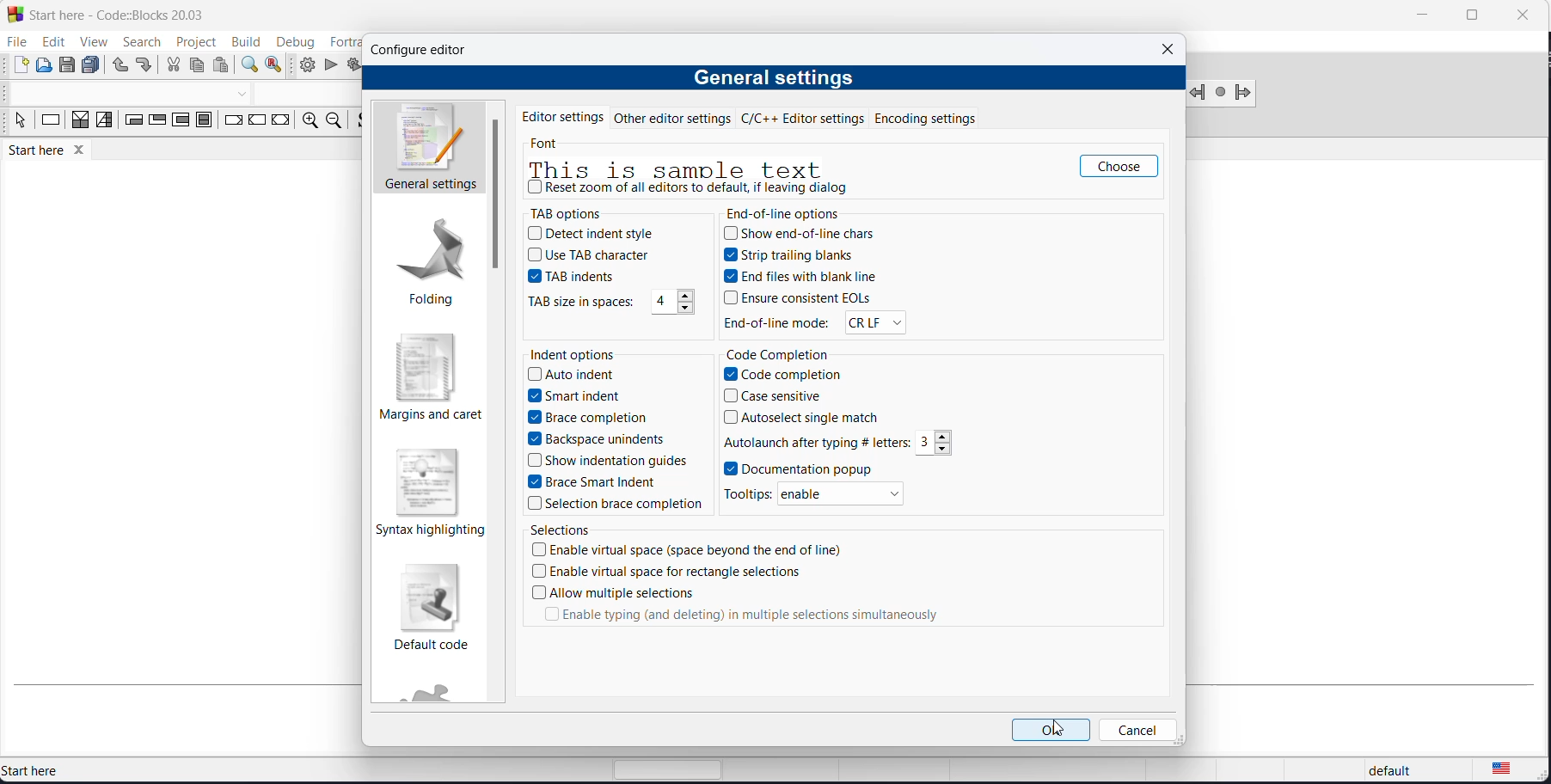  I want to click on minimize, so click(1419, 17).